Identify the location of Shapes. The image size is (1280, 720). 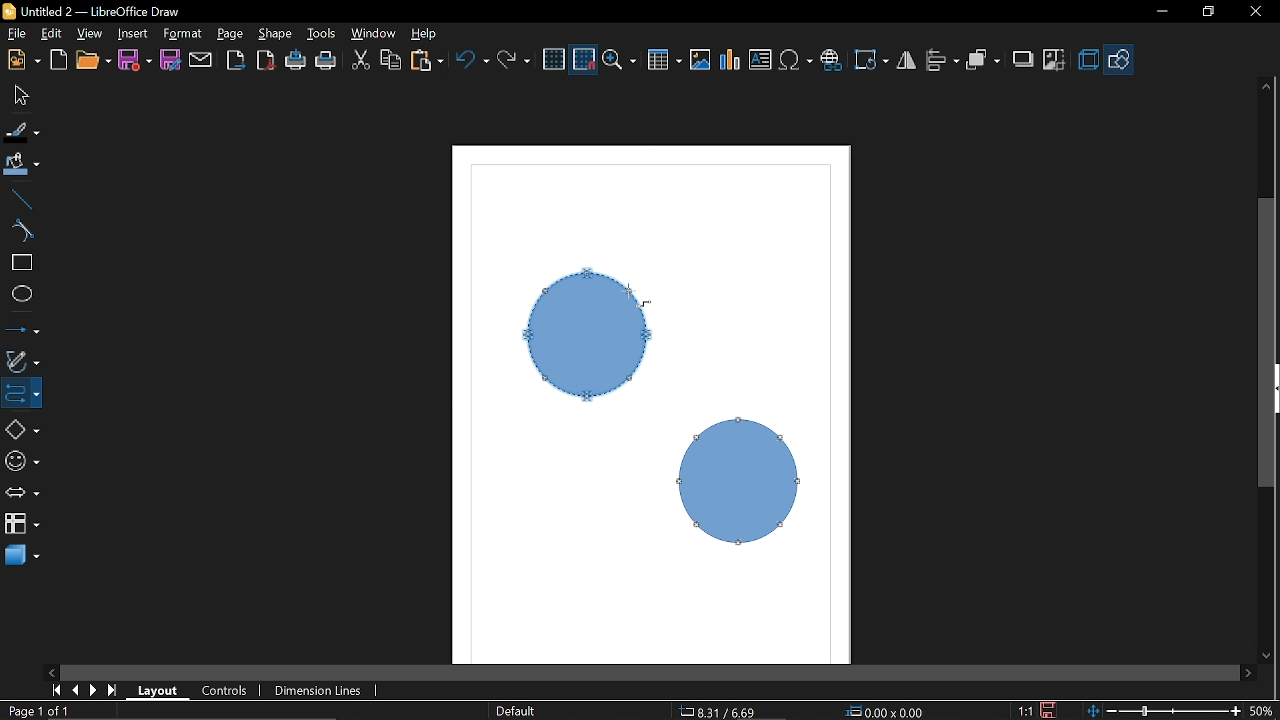
(1121, 58).